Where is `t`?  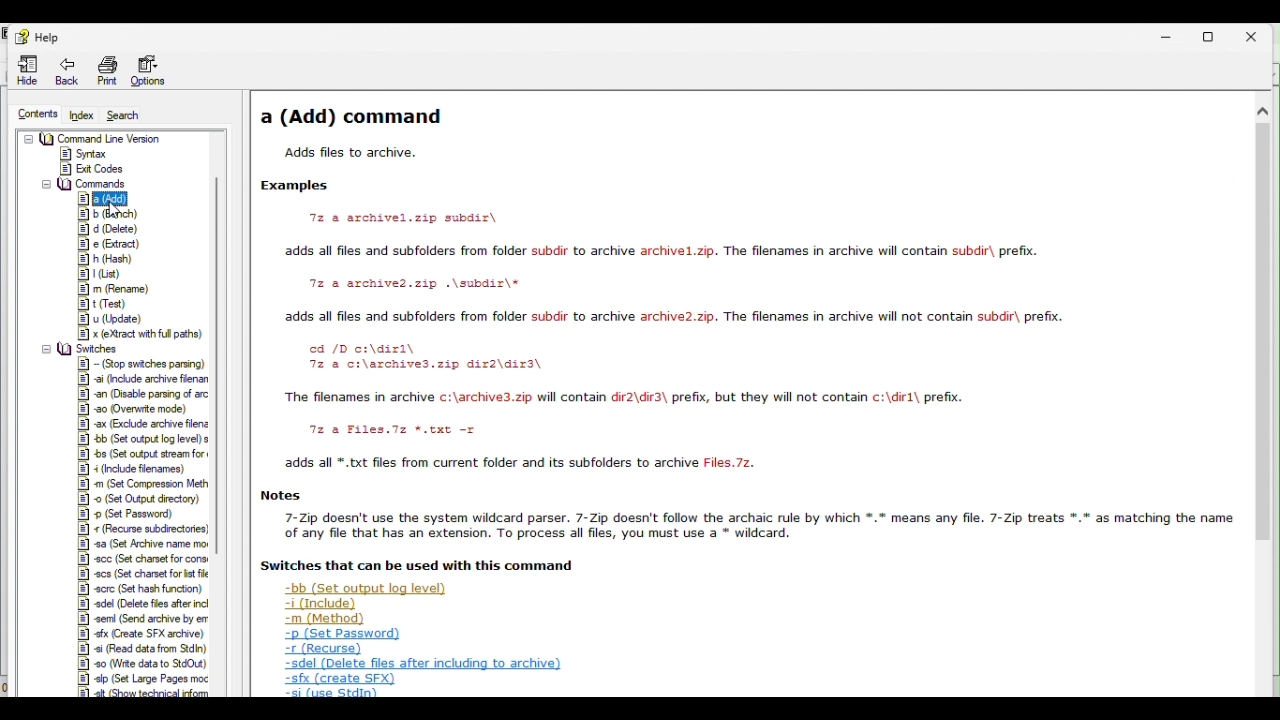
t is located at coordinates (116, 303).